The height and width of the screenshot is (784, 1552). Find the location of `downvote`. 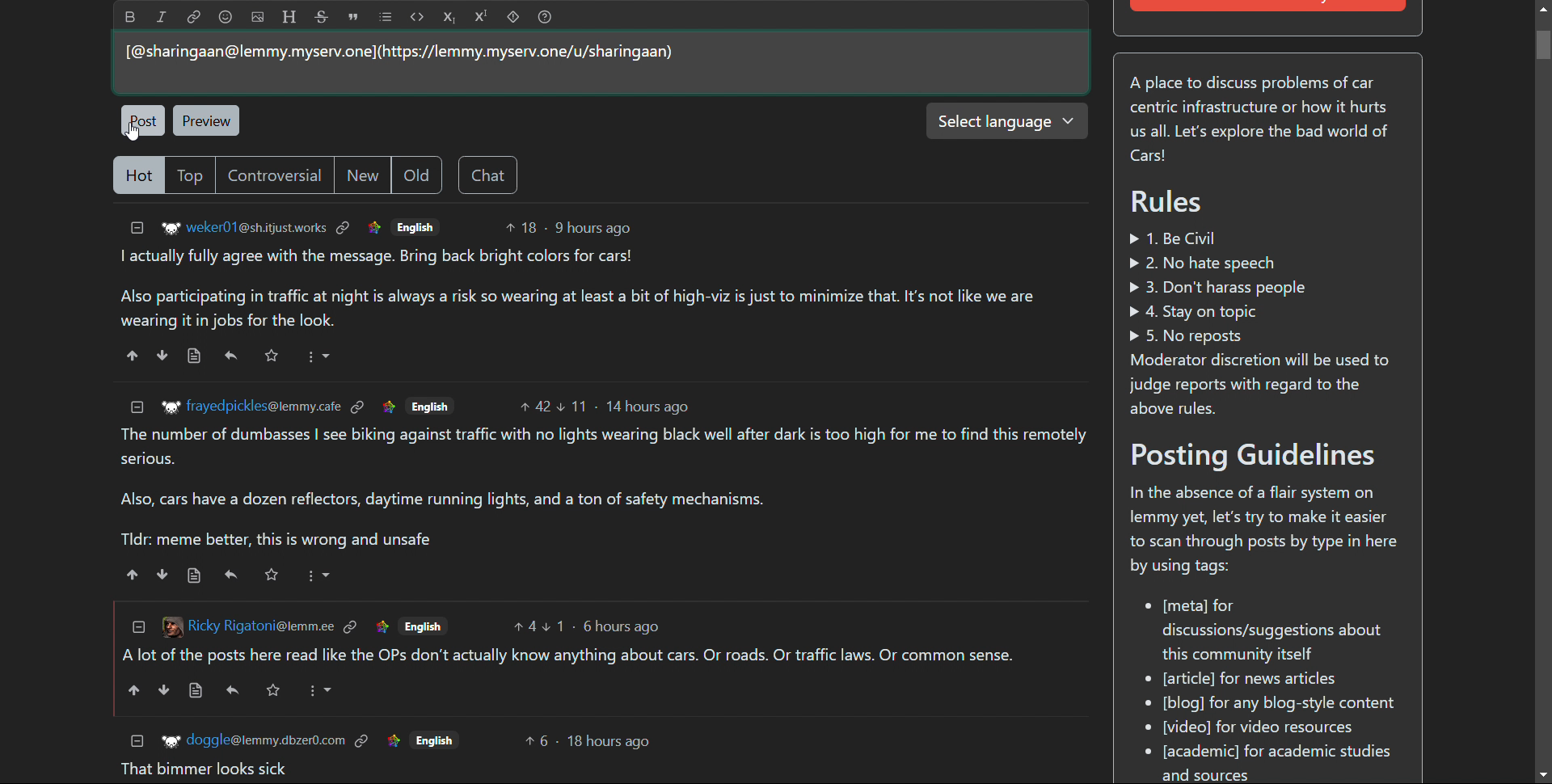

downvote is located at coordinates (161, 356).